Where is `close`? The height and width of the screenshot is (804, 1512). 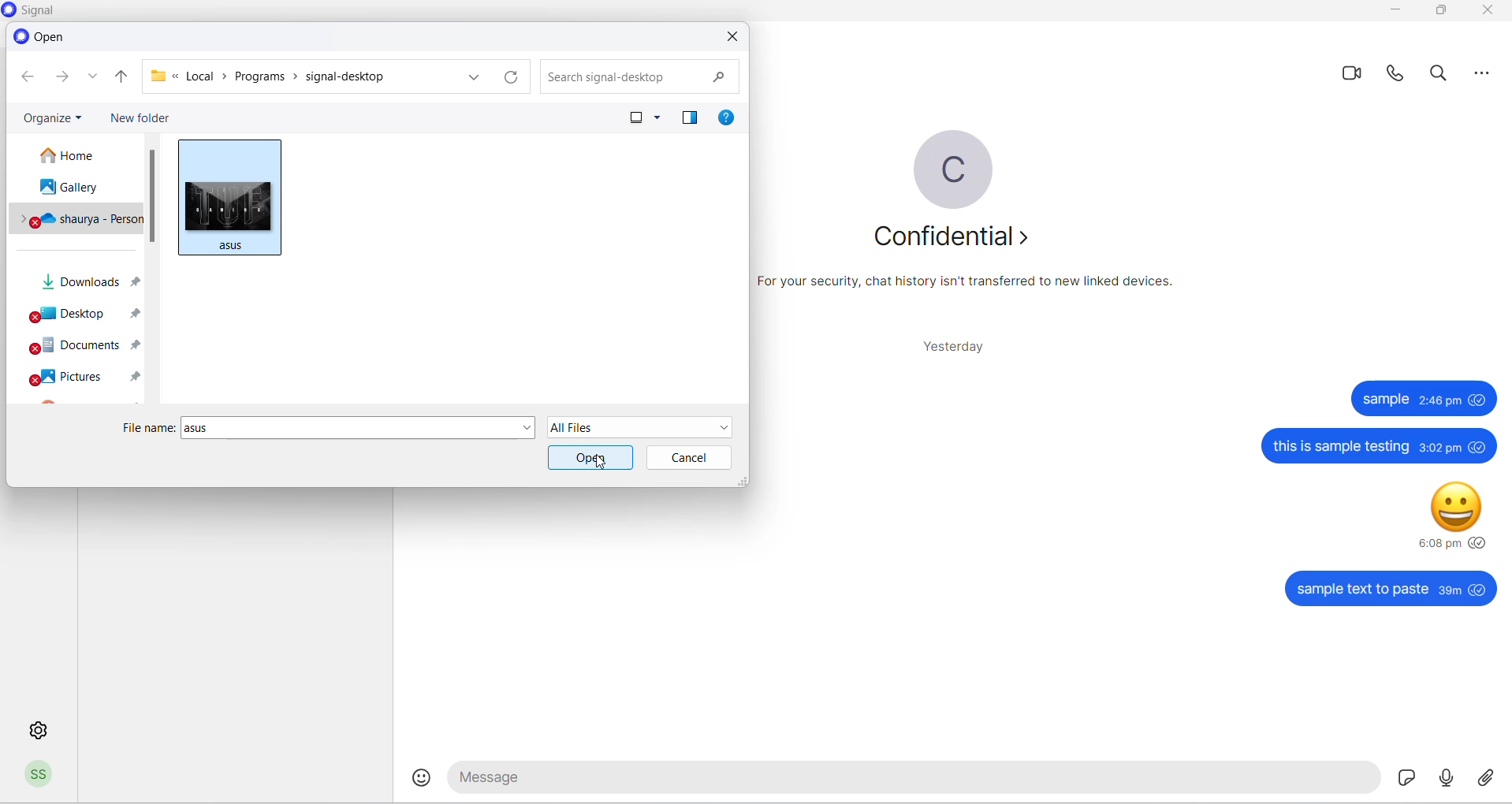
close is located at coordinates (1486, 13).